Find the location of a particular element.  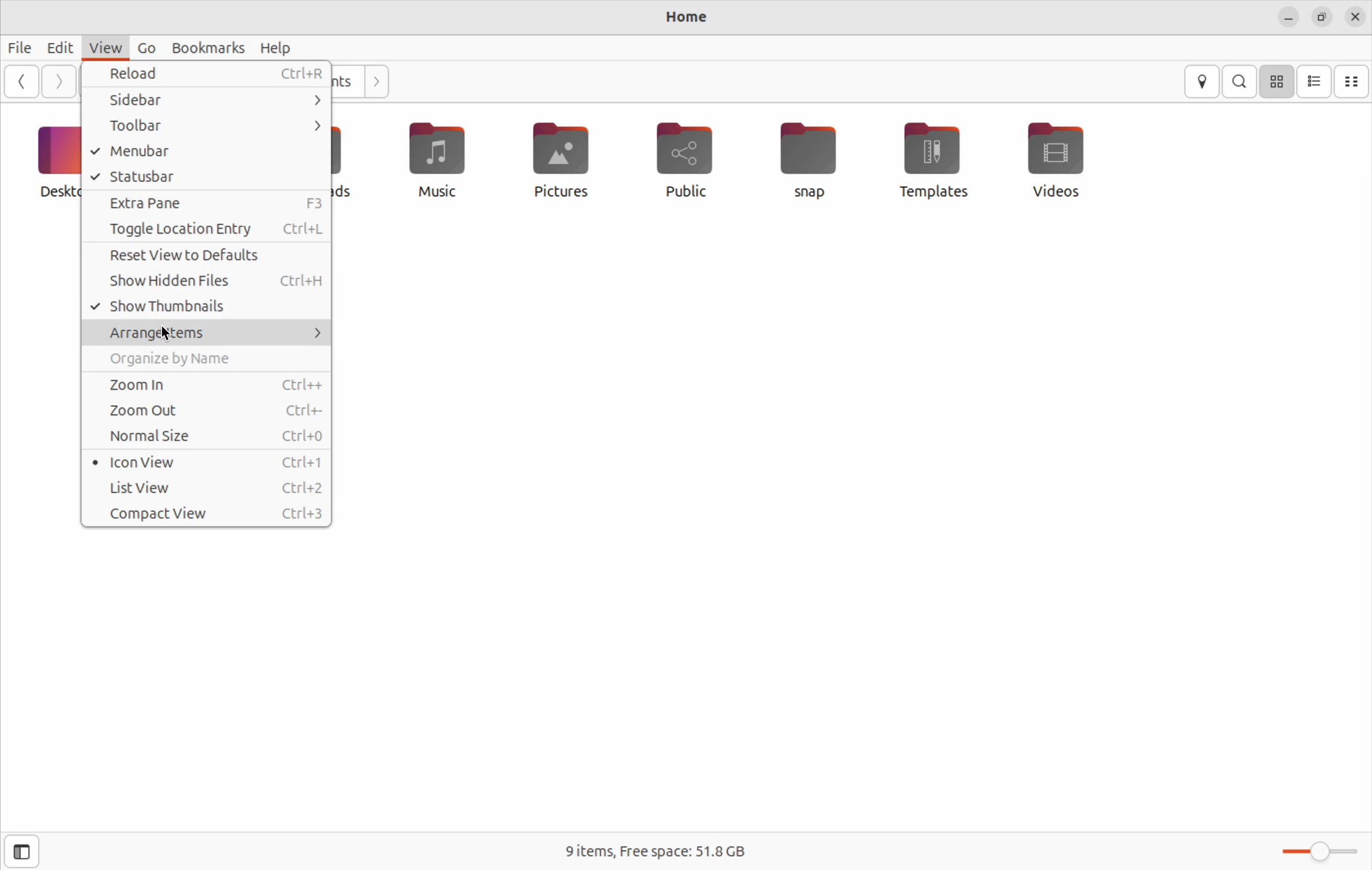

help is located at coordinates (277, 48).